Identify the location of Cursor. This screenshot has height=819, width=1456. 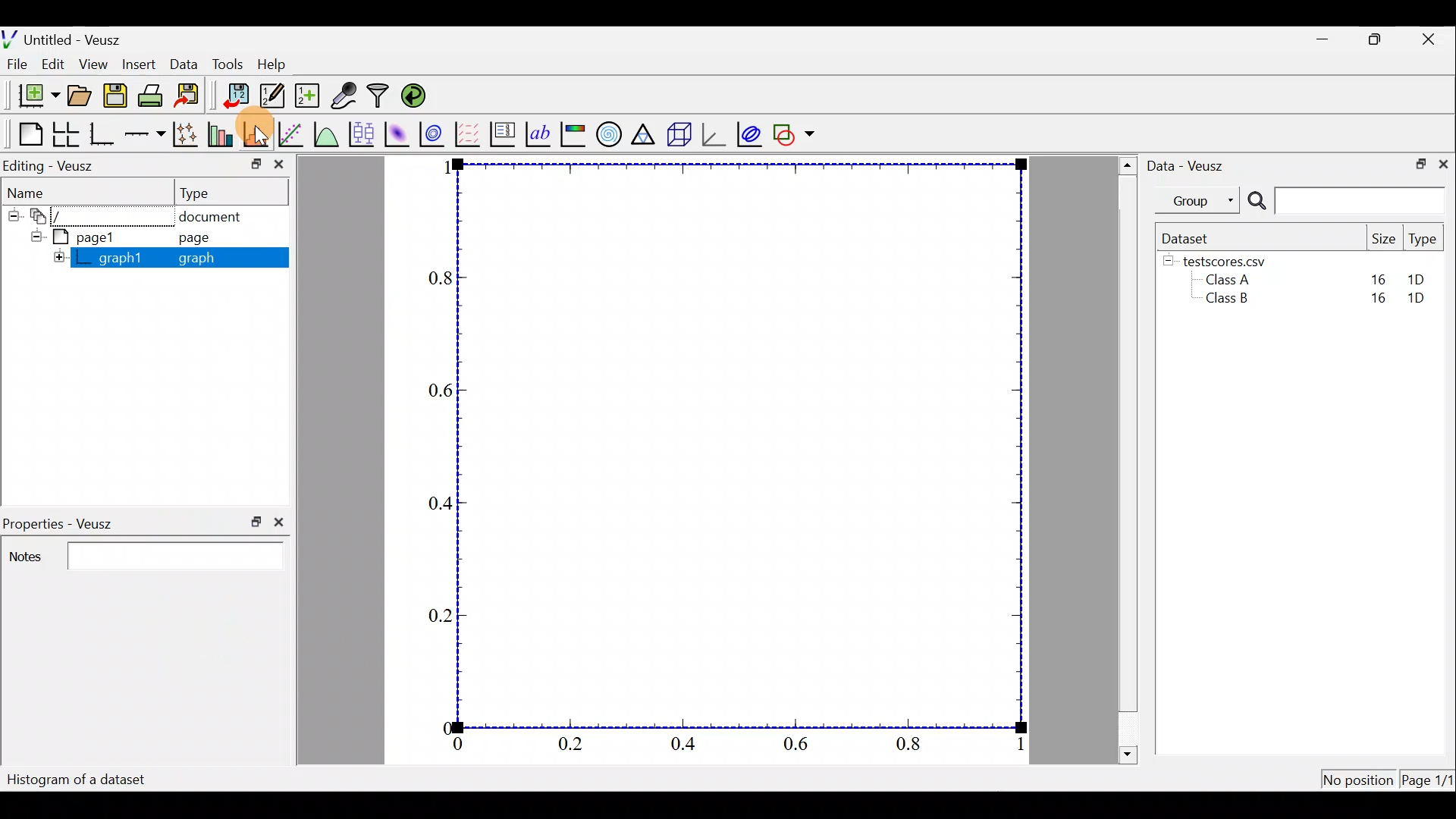
(265, 134).